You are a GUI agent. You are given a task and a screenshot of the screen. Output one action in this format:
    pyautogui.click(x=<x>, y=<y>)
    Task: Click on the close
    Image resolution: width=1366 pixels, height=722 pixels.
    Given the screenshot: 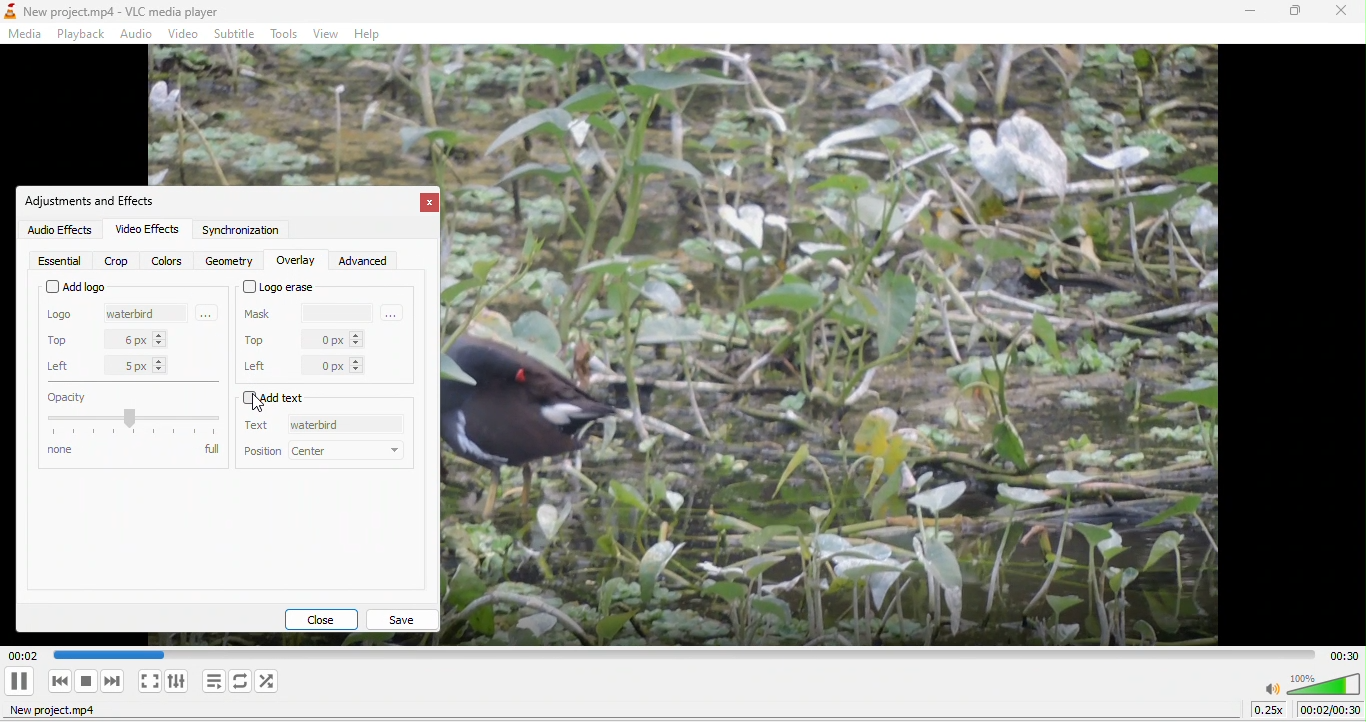 What is the action you would take?
    pyautogui.click(x=327, y=617)
    